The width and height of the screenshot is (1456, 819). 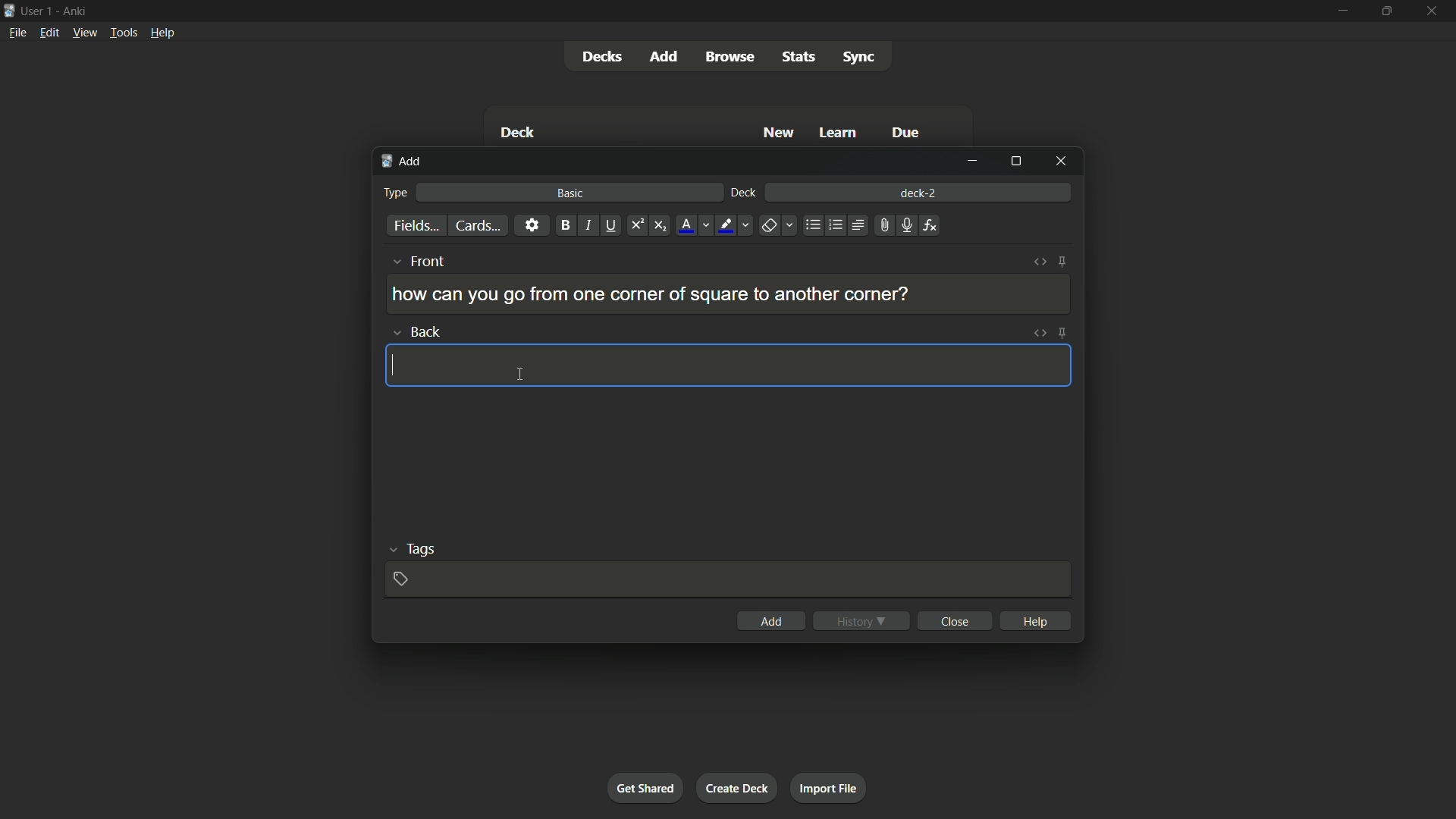 I want to click on close, so click(x=954, y=621).